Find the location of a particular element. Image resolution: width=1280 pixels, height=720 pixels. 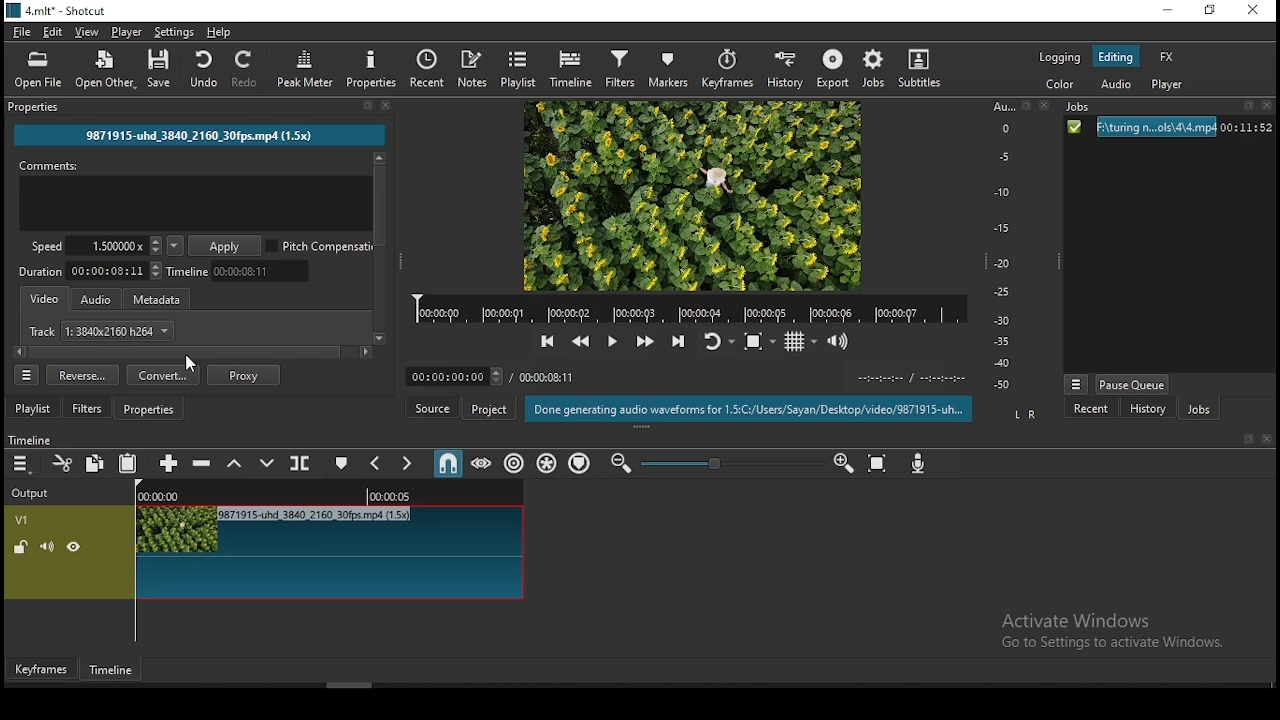

File name is located at coordinates (196, 133).